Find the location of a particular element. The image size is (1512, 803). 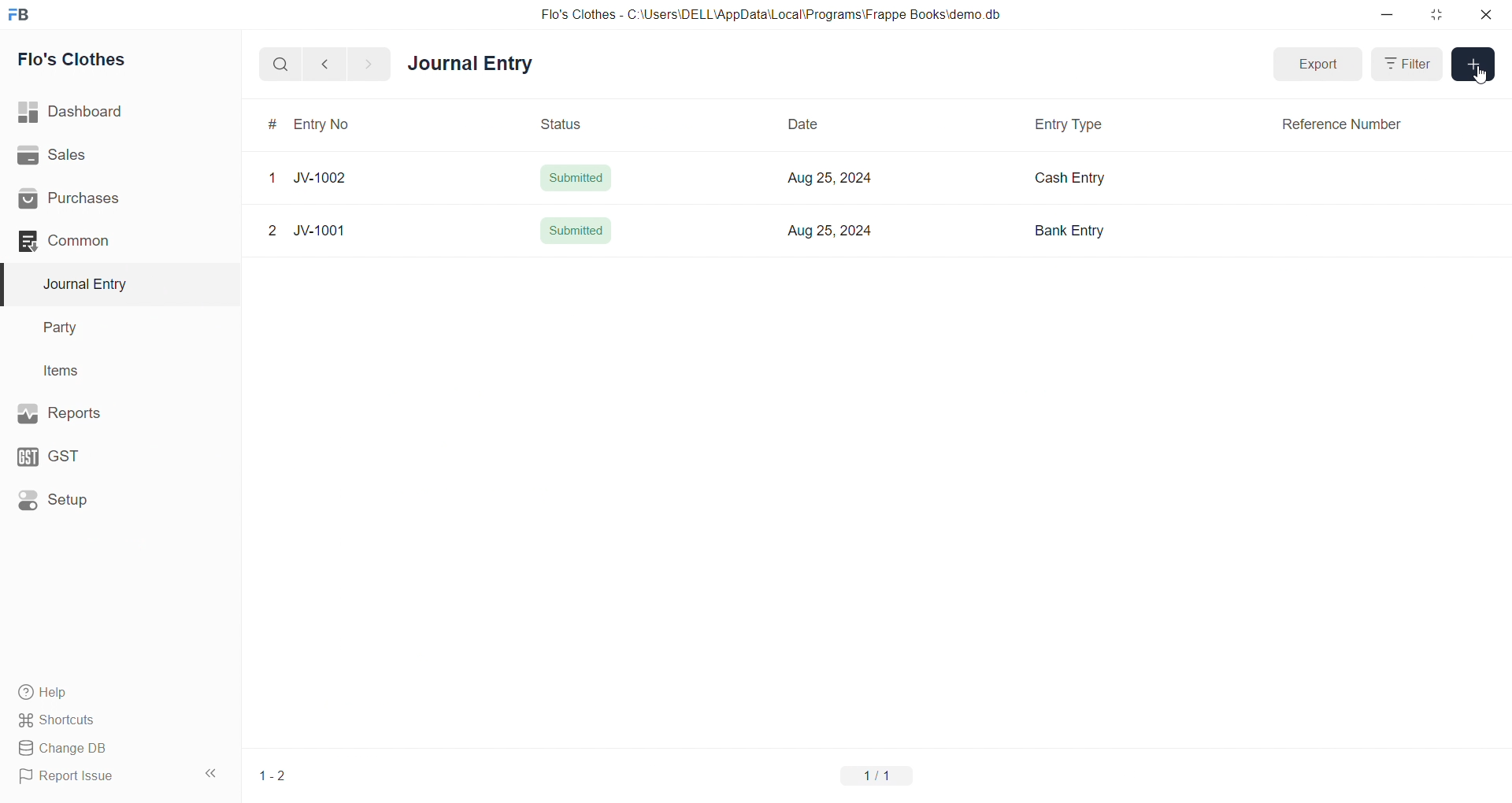

1-2 is located at coordinates (273, 776).